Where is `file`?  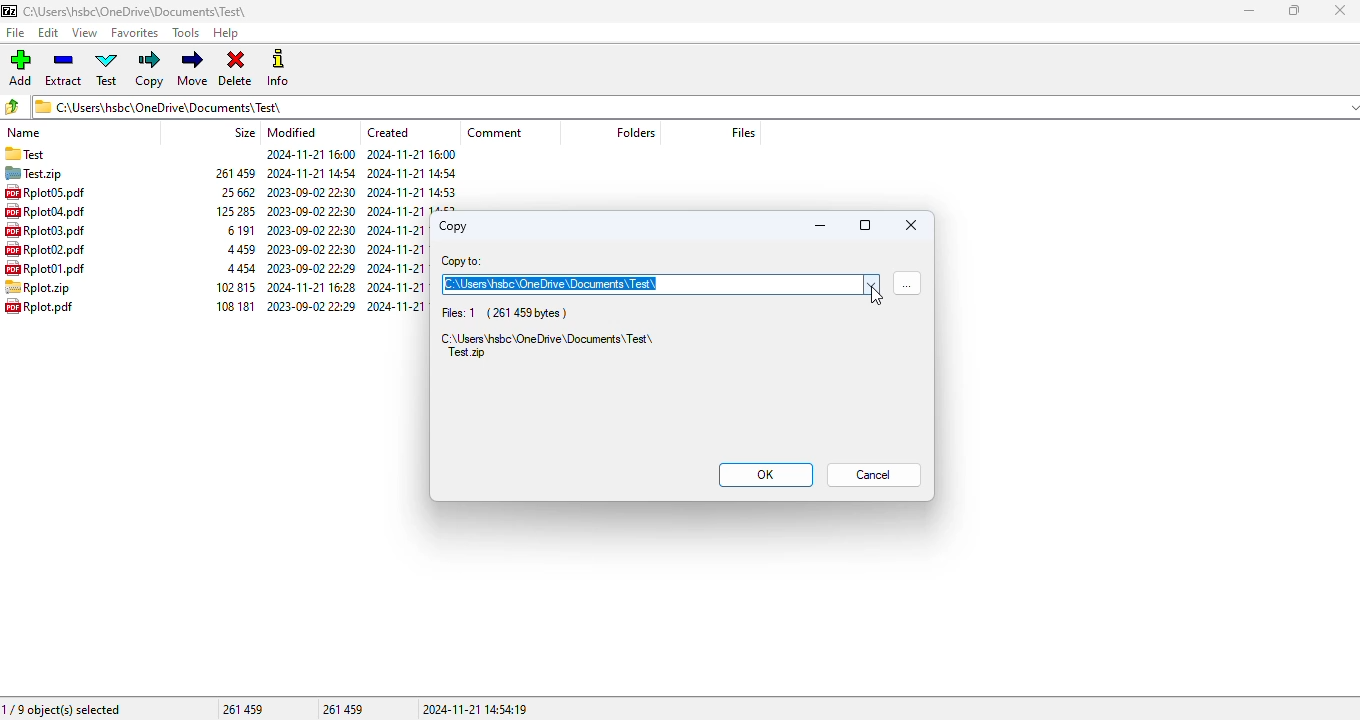 file is located at coordinates (38, 287).